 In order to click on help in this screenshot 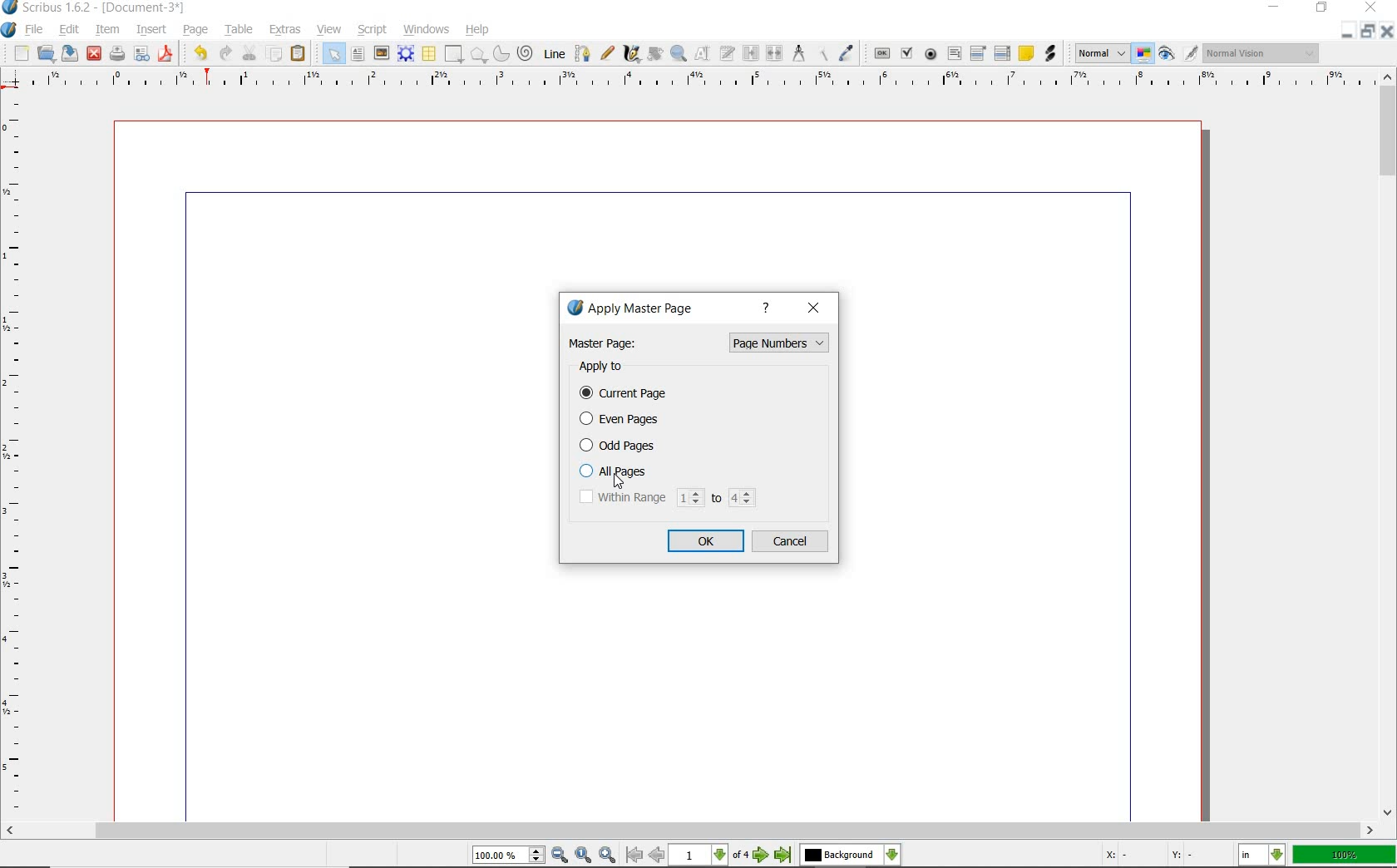, I will do `click(476, 30)`.